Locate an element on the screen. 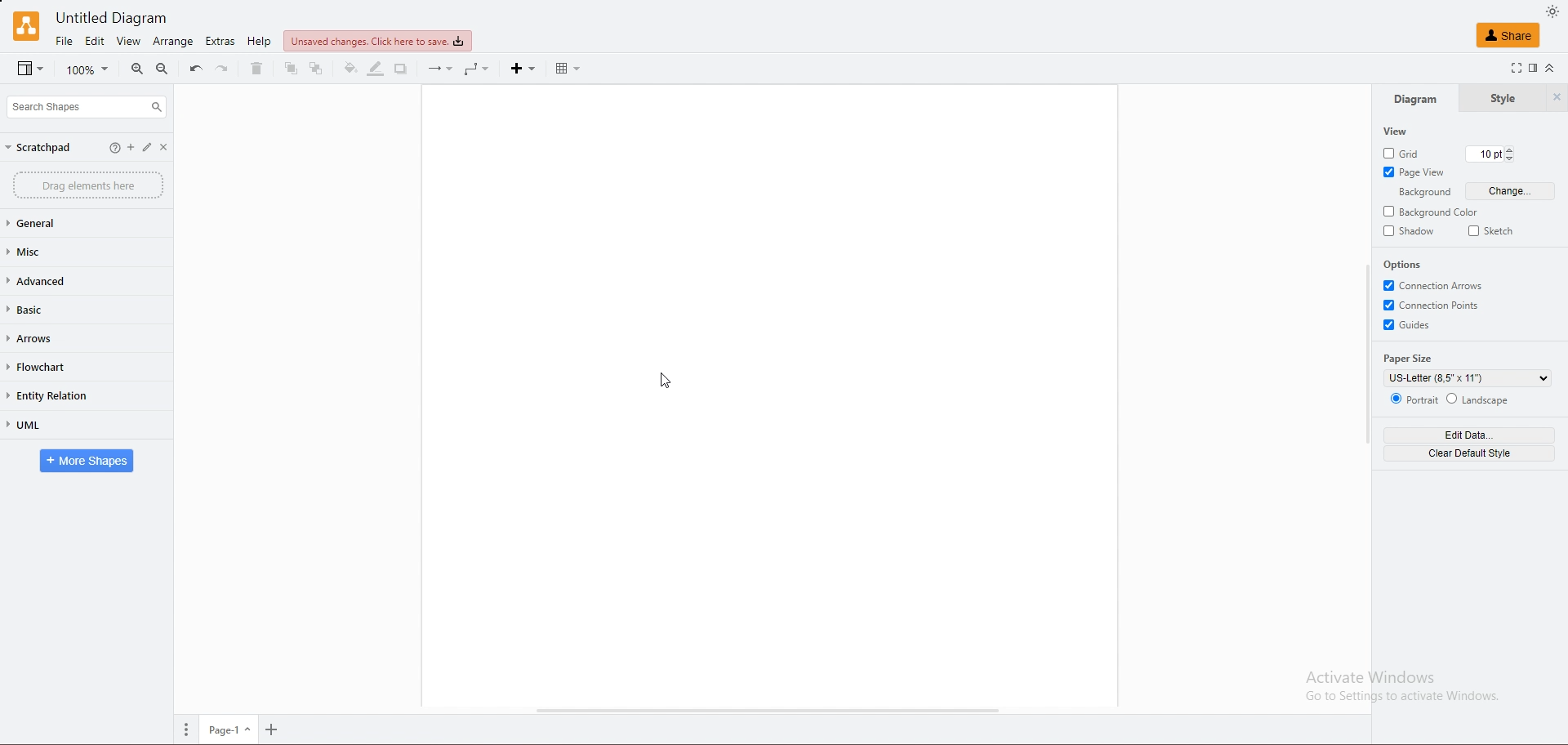 This screenshot has height=745, width=1568. redo is located at coordinates (223, 69).